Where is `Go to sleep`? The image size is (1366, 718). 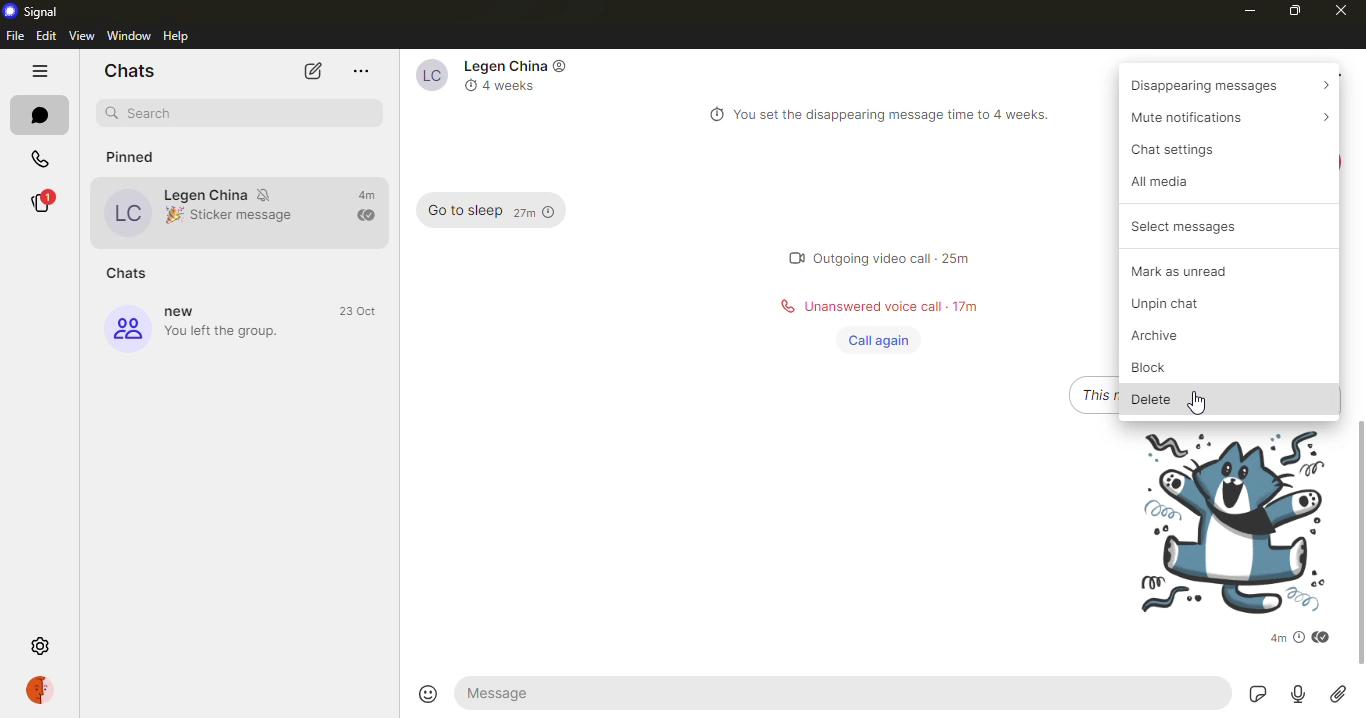
Go to sleep is located at coordinates (460, 211).